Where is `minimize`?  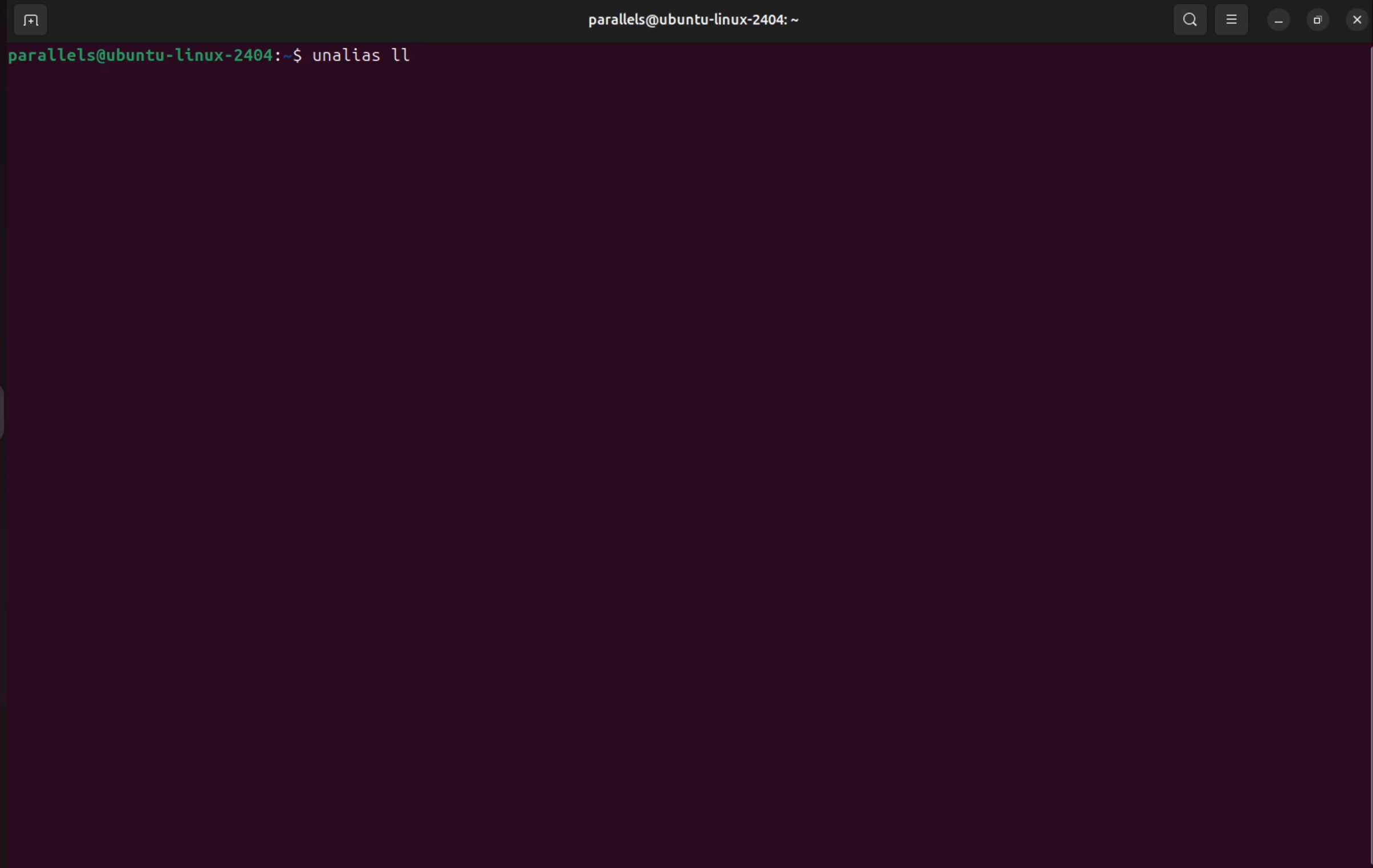
minimize is located at coordinates (1279, 19).